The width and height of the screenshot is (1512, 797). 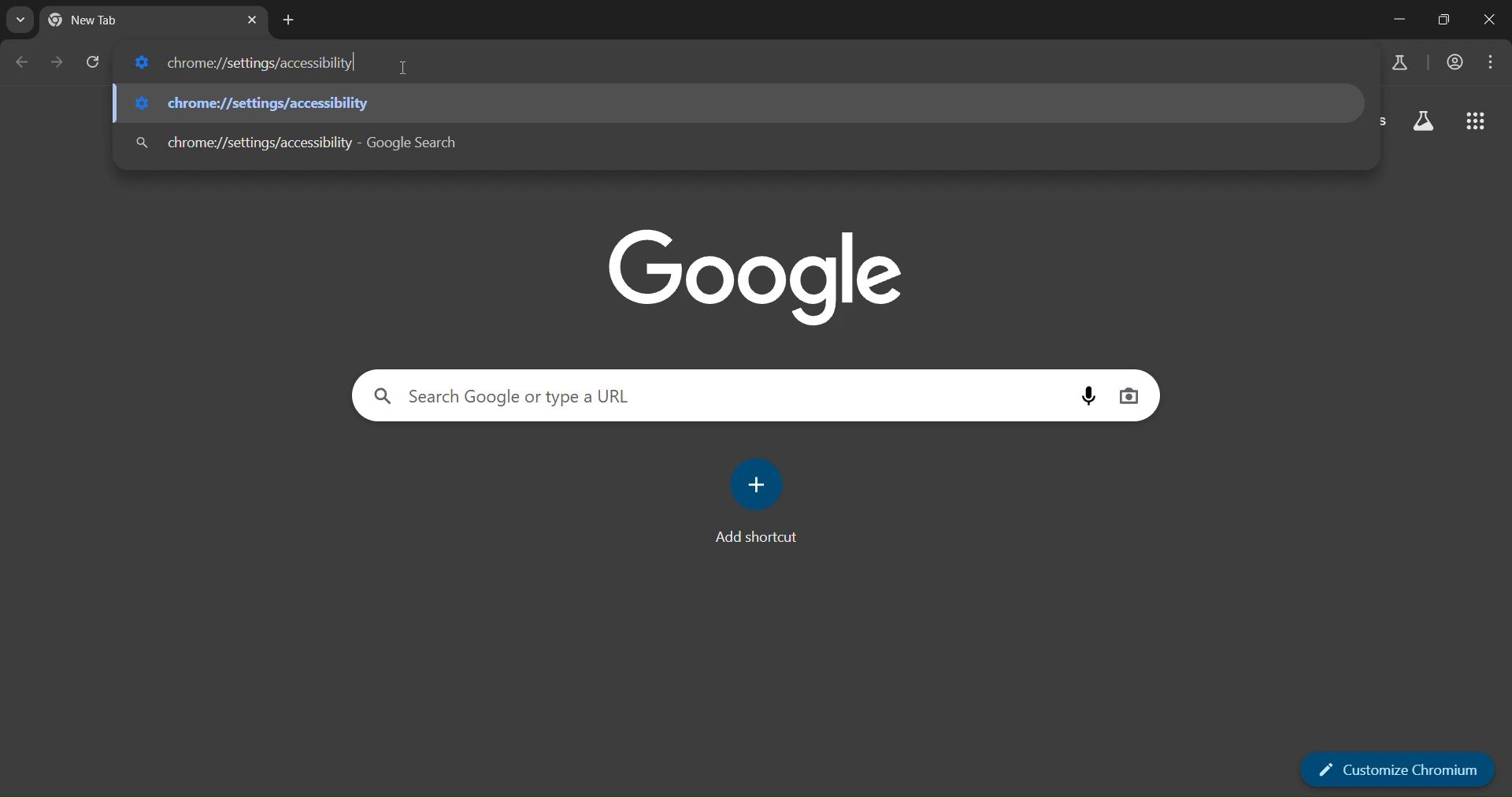 I want to click on restore down, so click(x=1447, y=20).